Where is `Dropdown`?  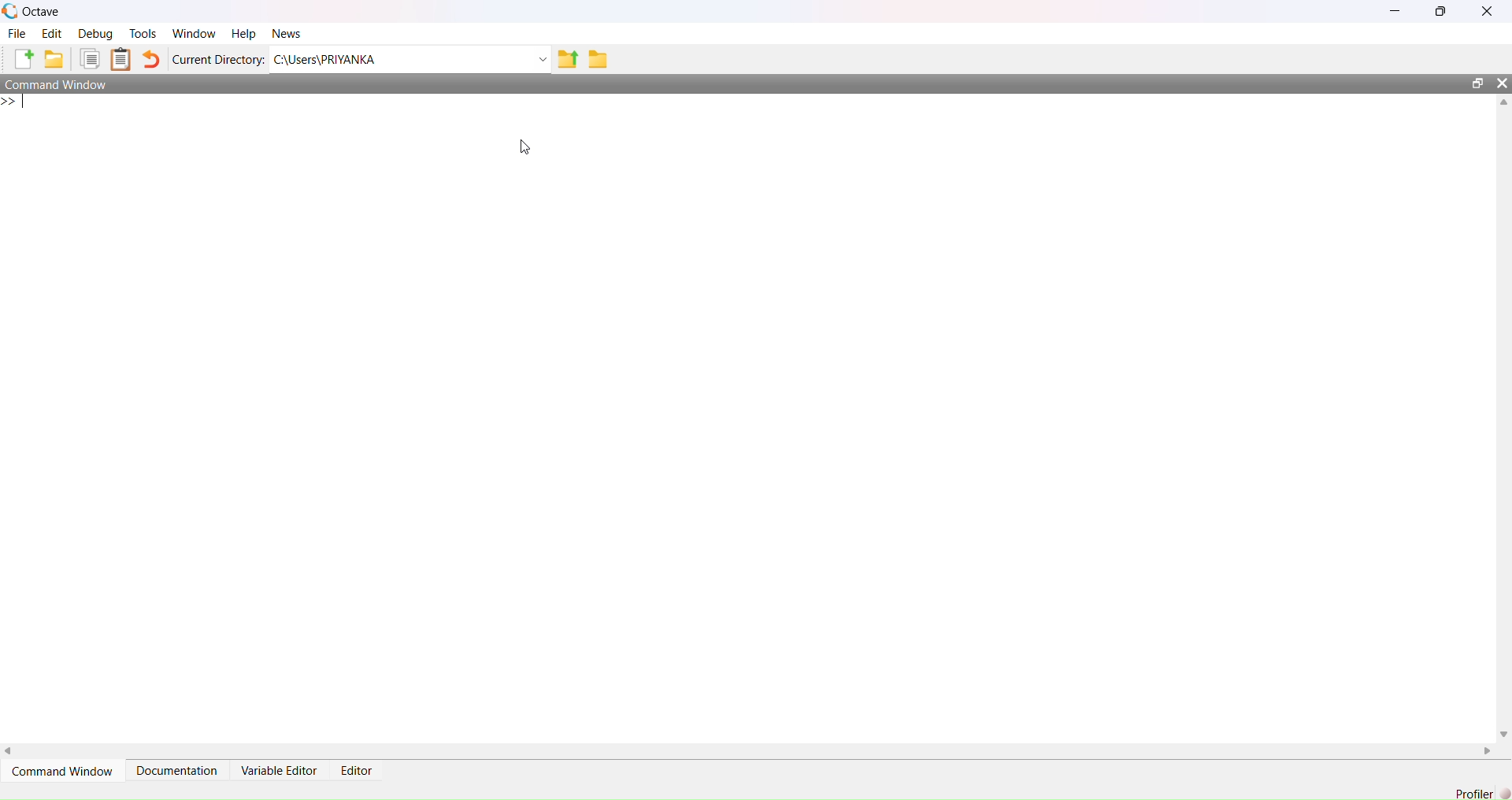 Dropdown is located at coordinates (539, 58).